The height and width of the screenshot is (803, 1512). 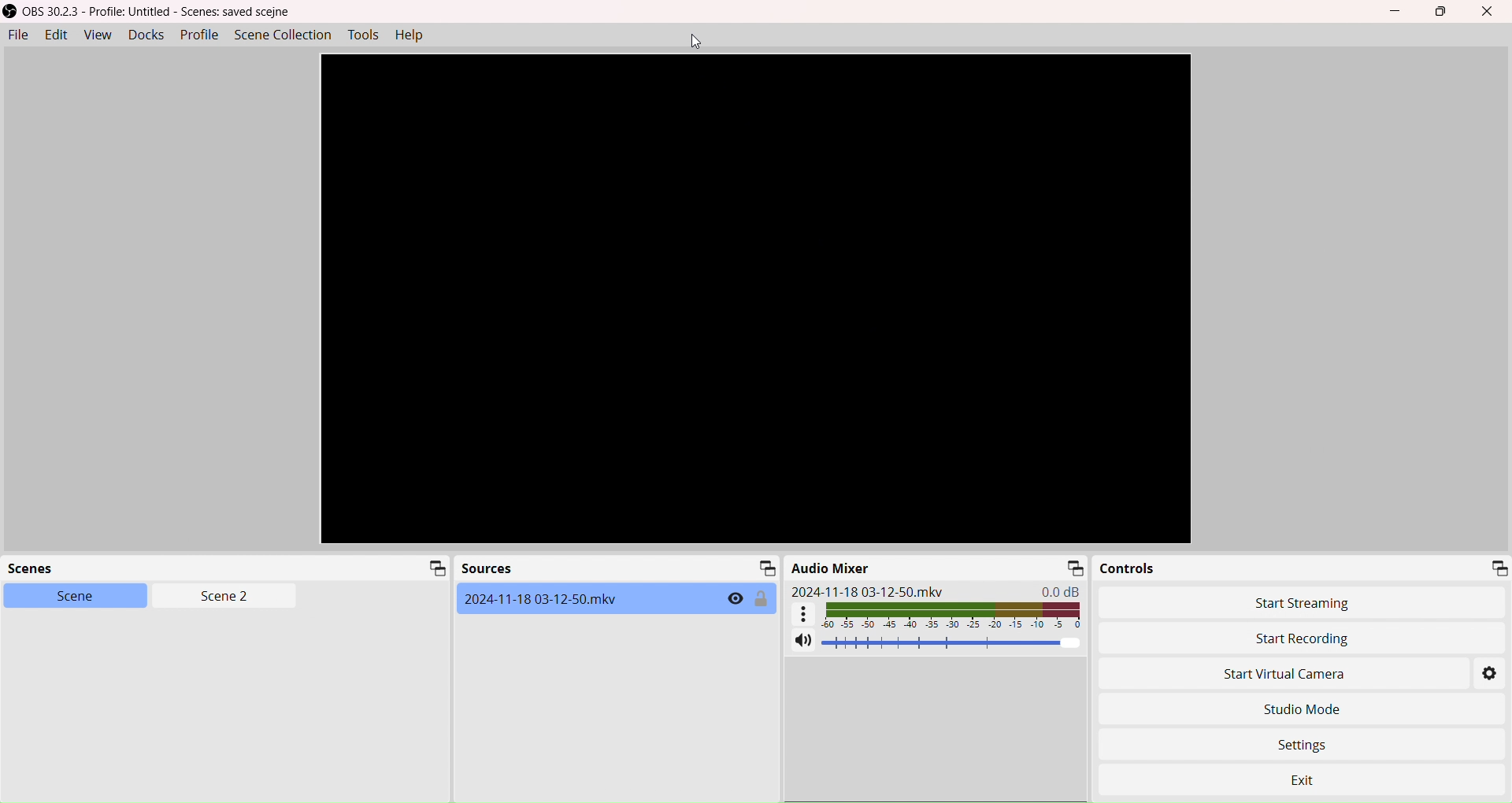 What do you see at coordinates (1444, 12) in the screenshot?
I see `Box` at bounding box center [1444, 12].